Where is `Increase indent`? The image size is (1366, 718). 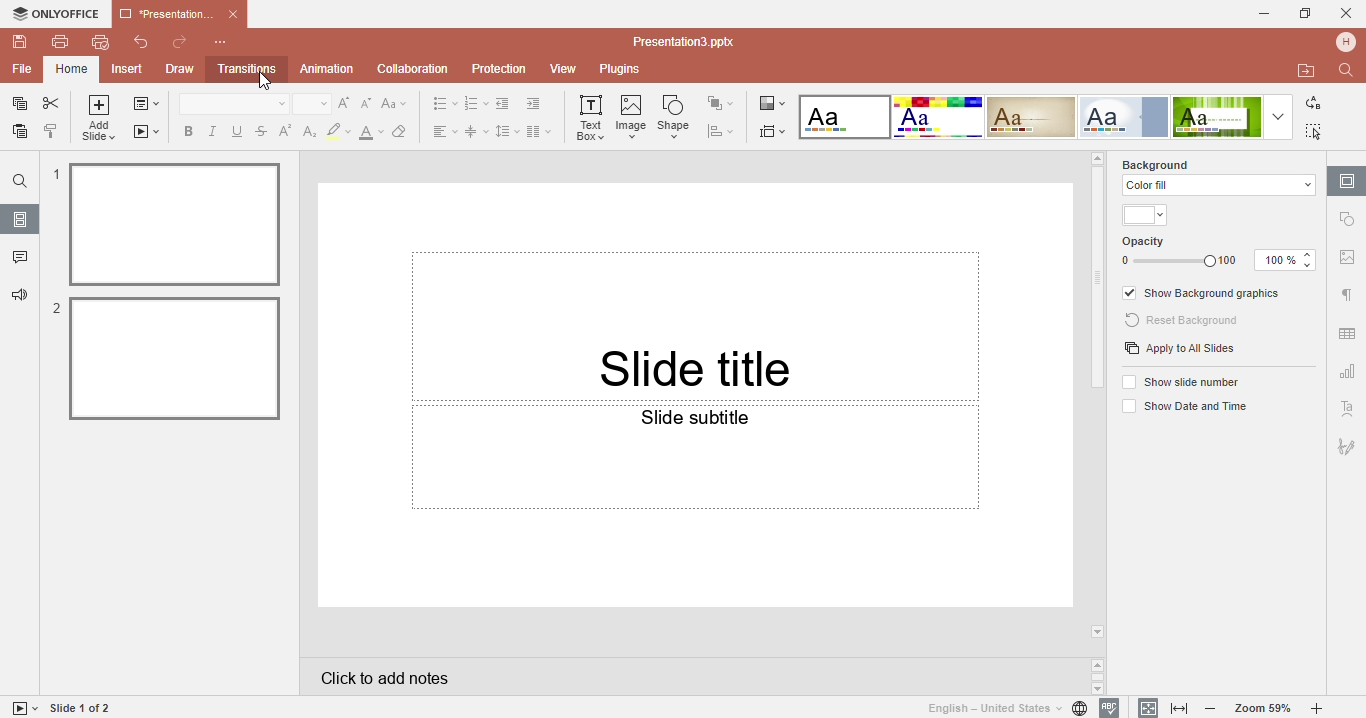 Increase indent is located at coordinates (538, 104).